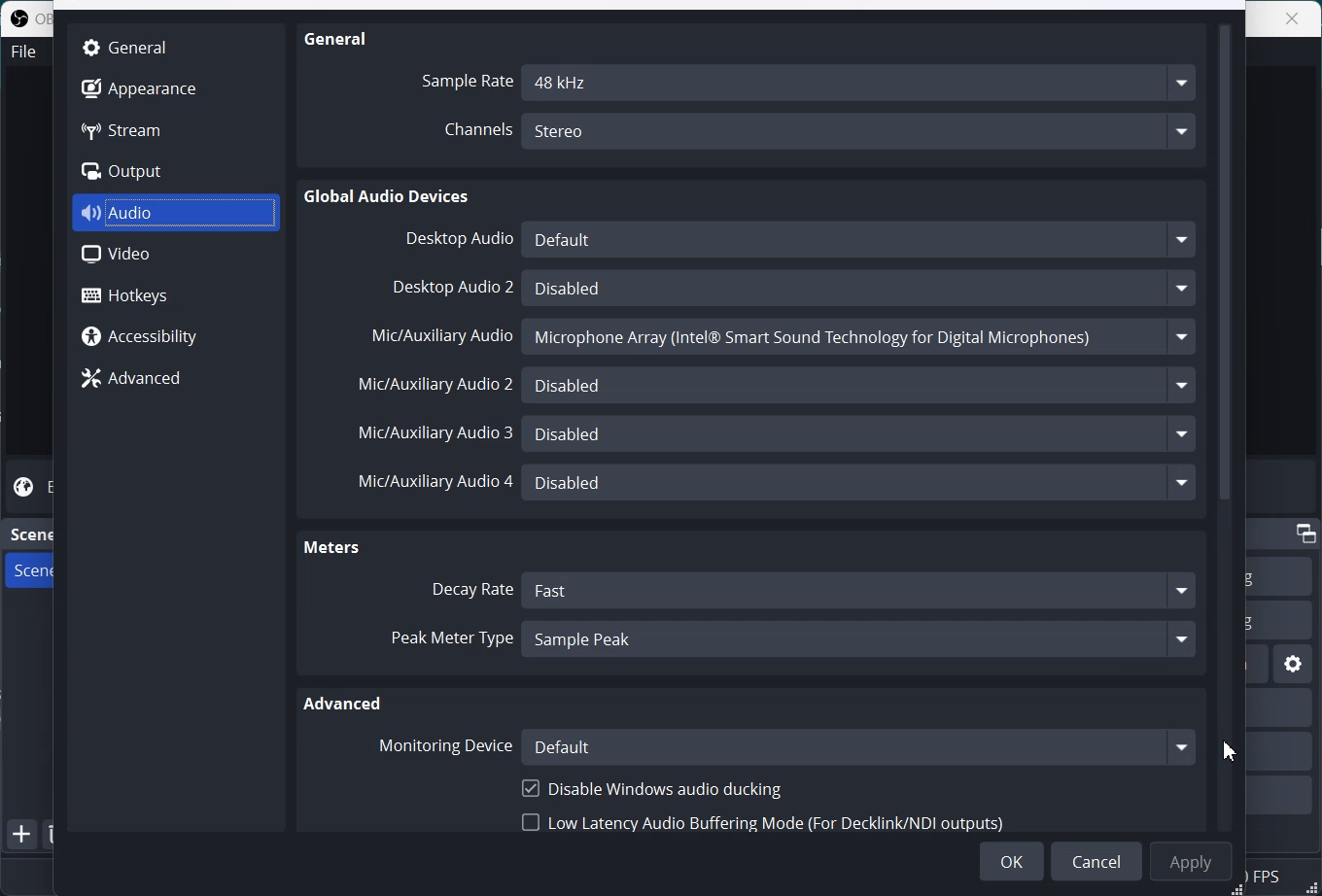 The width and height of the screenshot is (1322, 896). What do you see at coordinates (435, 479) in the screenshot?
I see `Mic/Auxiliary Audio 4` at bounding box center [435, 479].